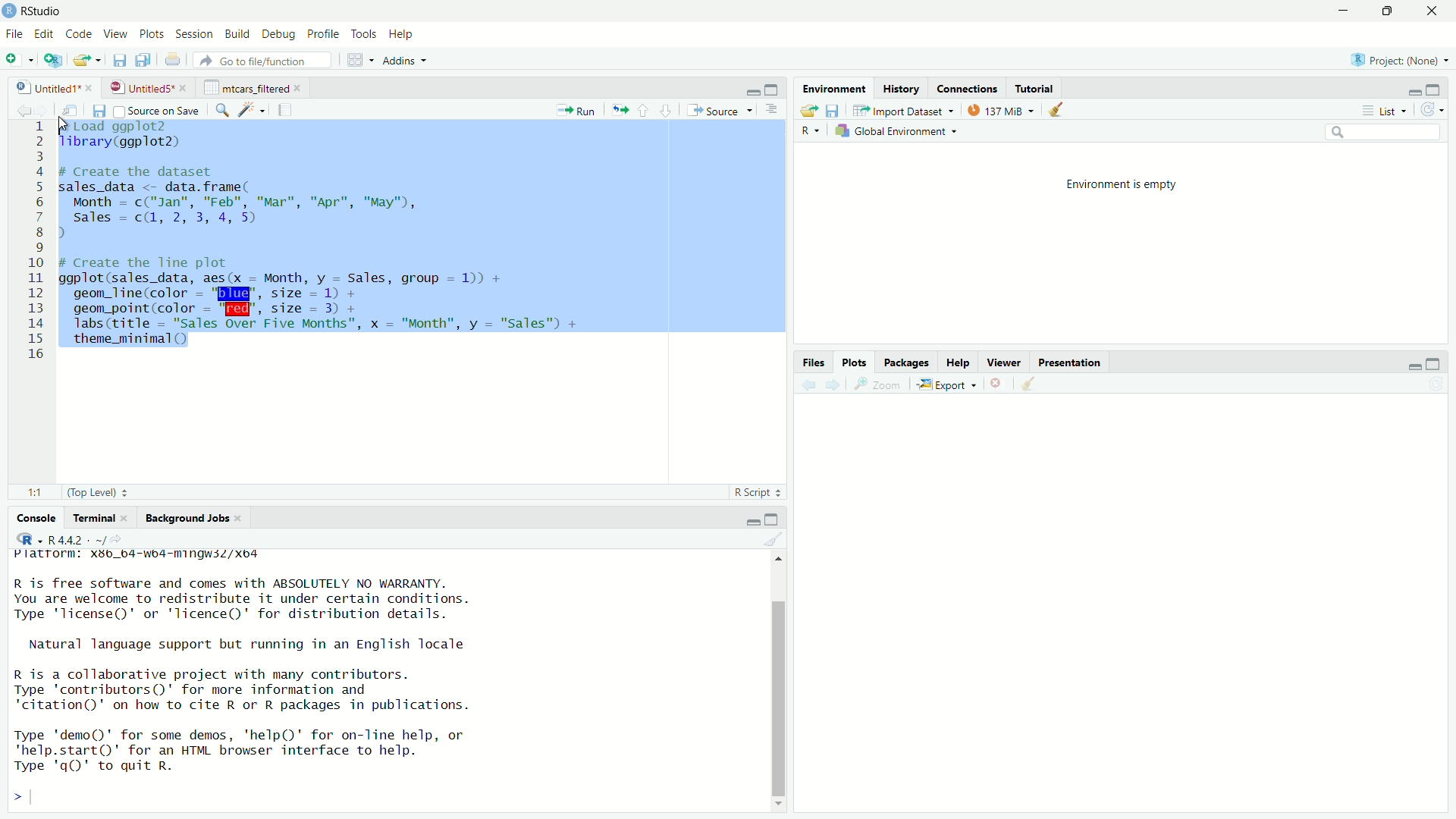  What do you see at coordinates (1432, 365) in the screenshot?
I see `maximize` at bounding box center [1432, 365].